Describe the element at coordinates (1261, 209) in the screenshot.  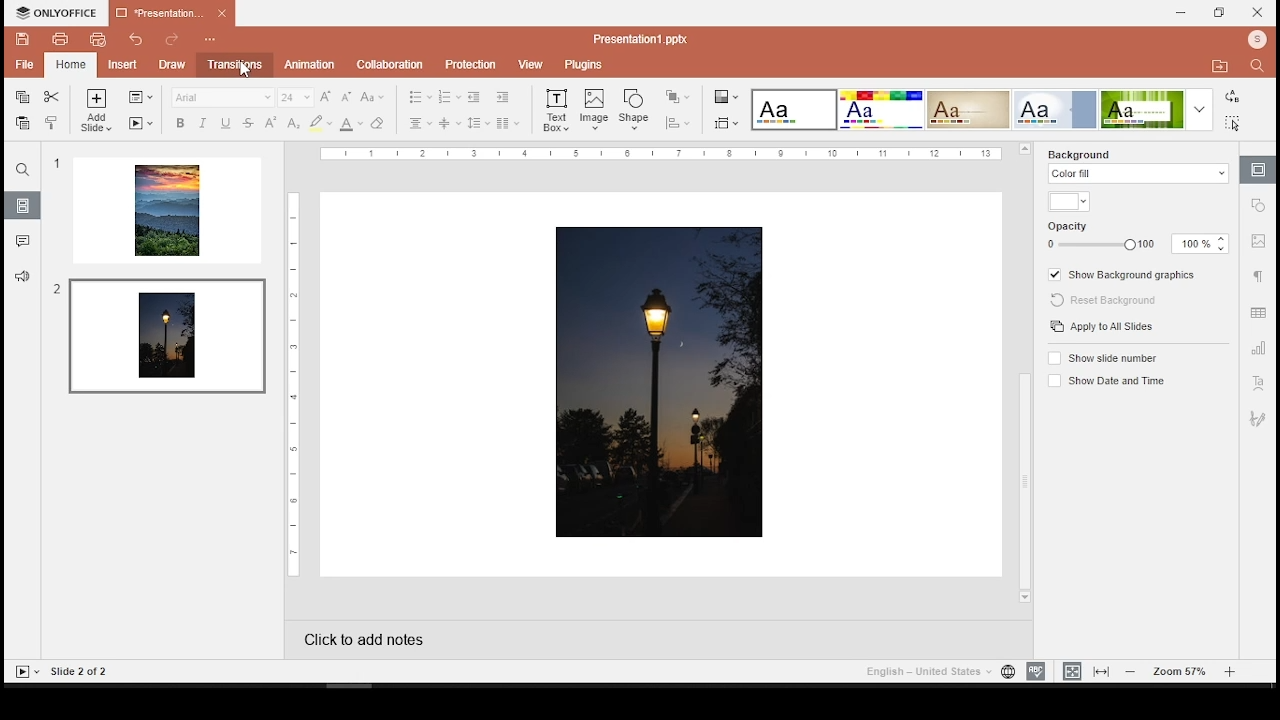
I see `` at that location.